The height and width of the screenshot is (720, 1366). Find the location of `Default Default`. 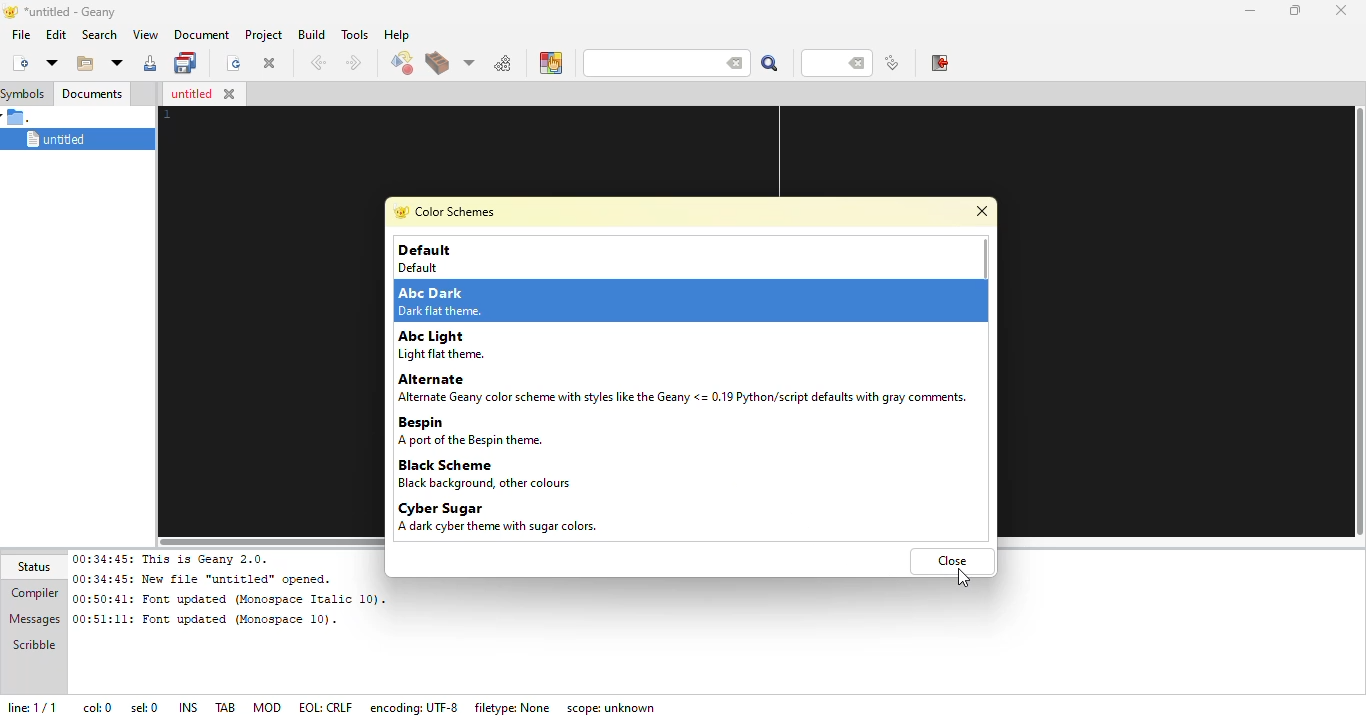

Default Default is located at coordinates (472, 258).